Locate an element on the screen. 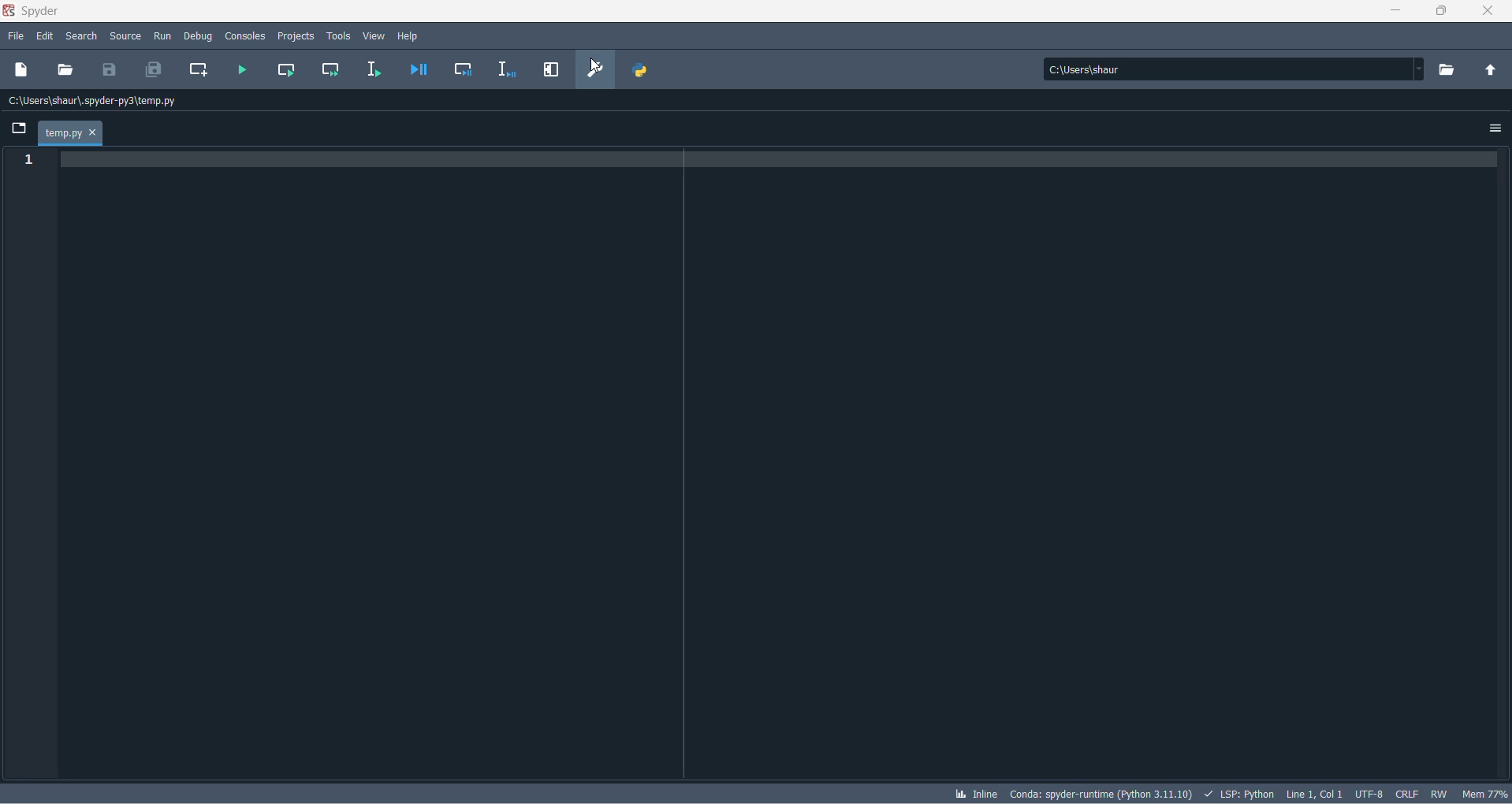  run selection is located at coordinates (371, 70).